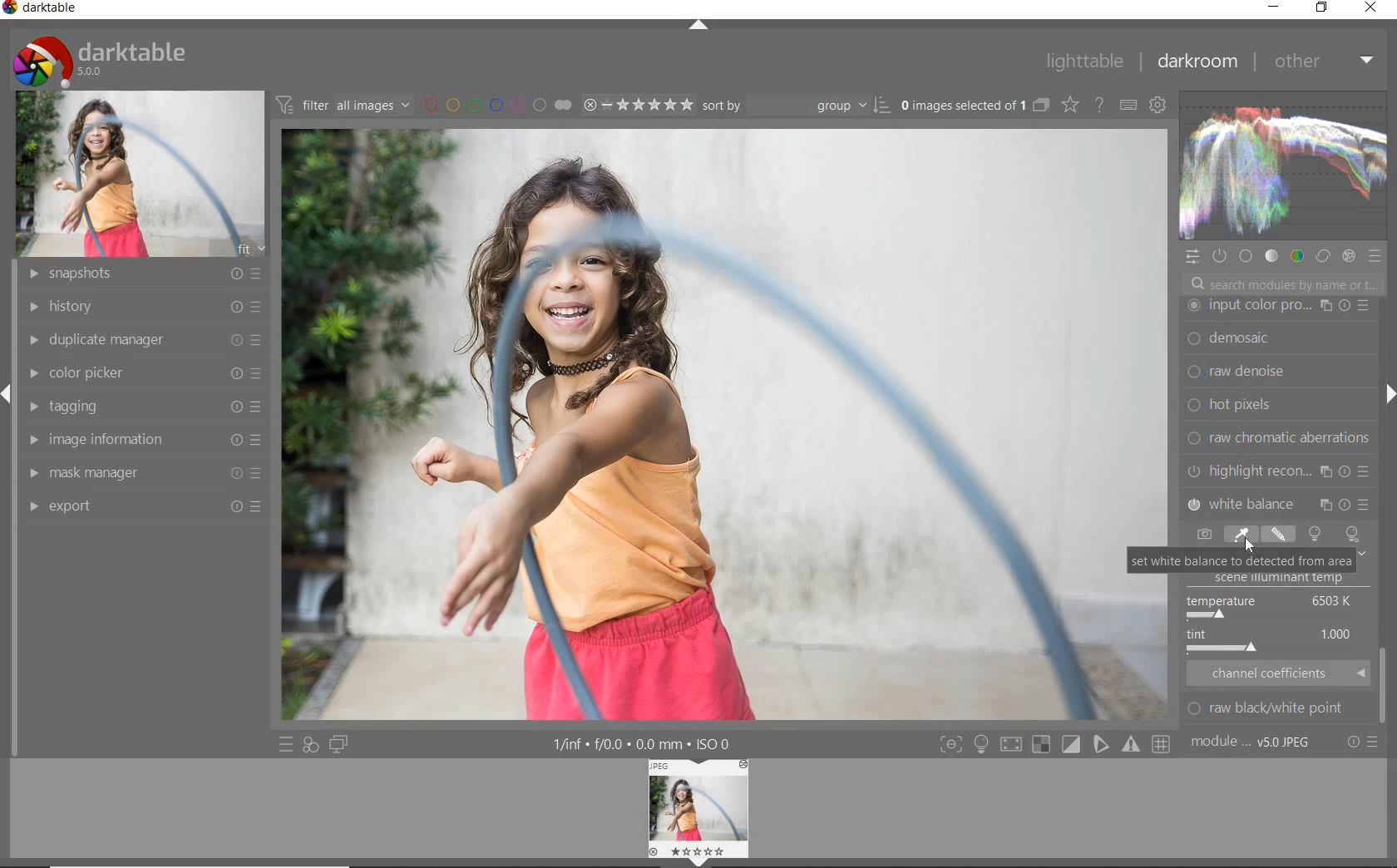  What do you see at coordinates (1084, 62) in the screenshot?
I see `lighttable` at bounding box center [1084, 62].